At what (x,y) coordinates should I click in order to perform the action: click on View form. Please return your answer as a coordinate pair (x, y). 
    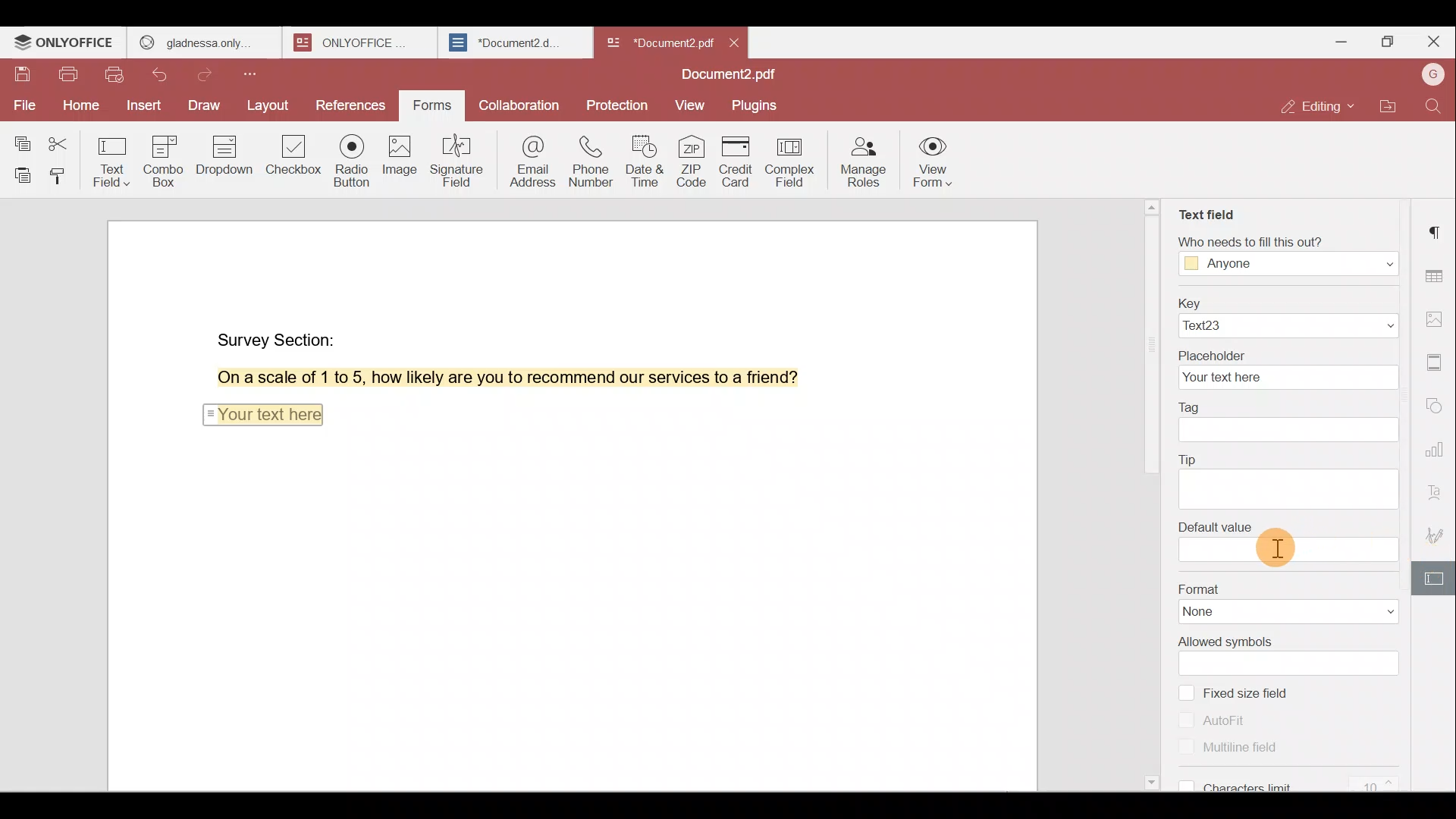
    Looking at the image, I should click on (933, 164).